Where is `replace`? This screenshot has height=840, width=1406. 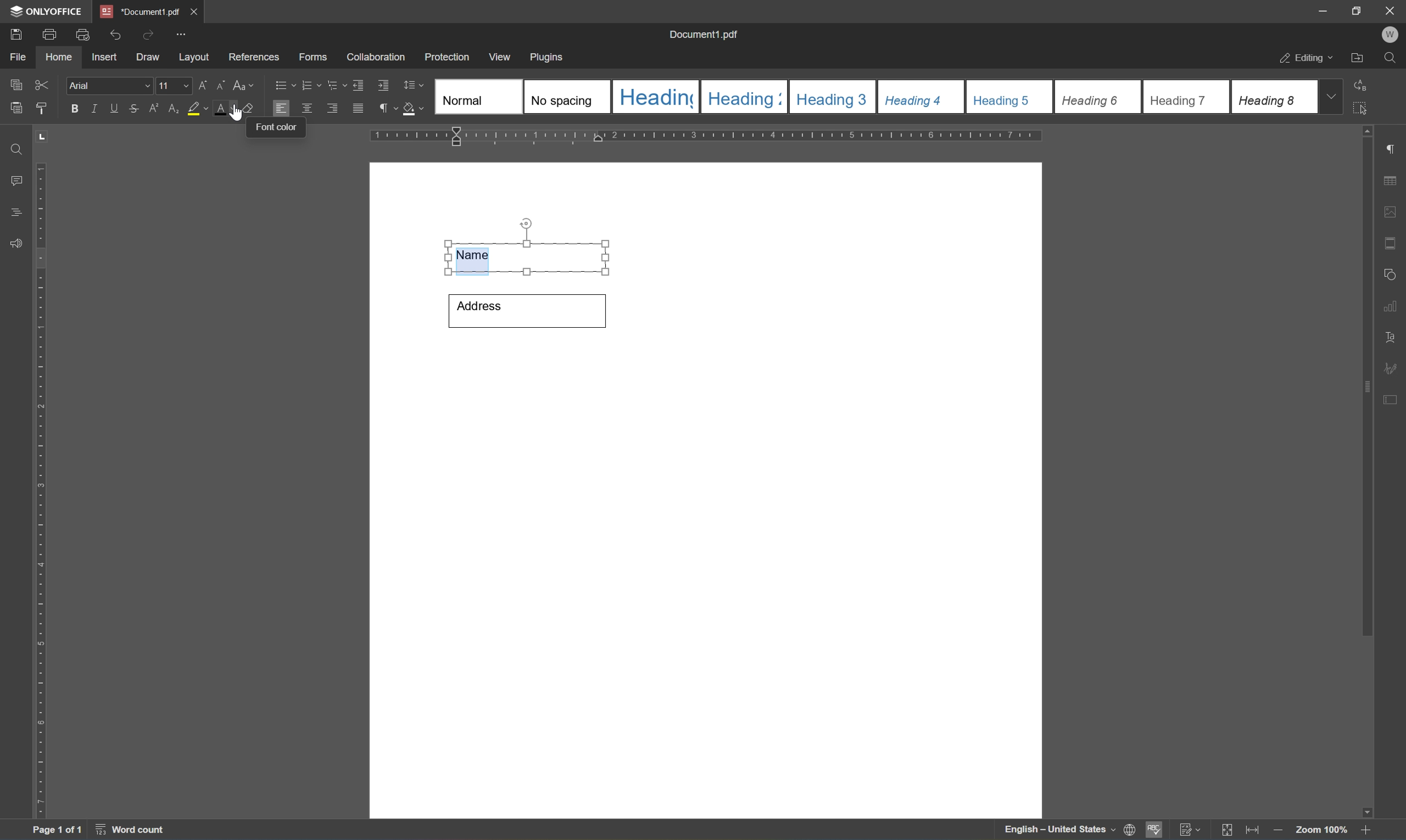
replace is located at coordinates (1365, 85).